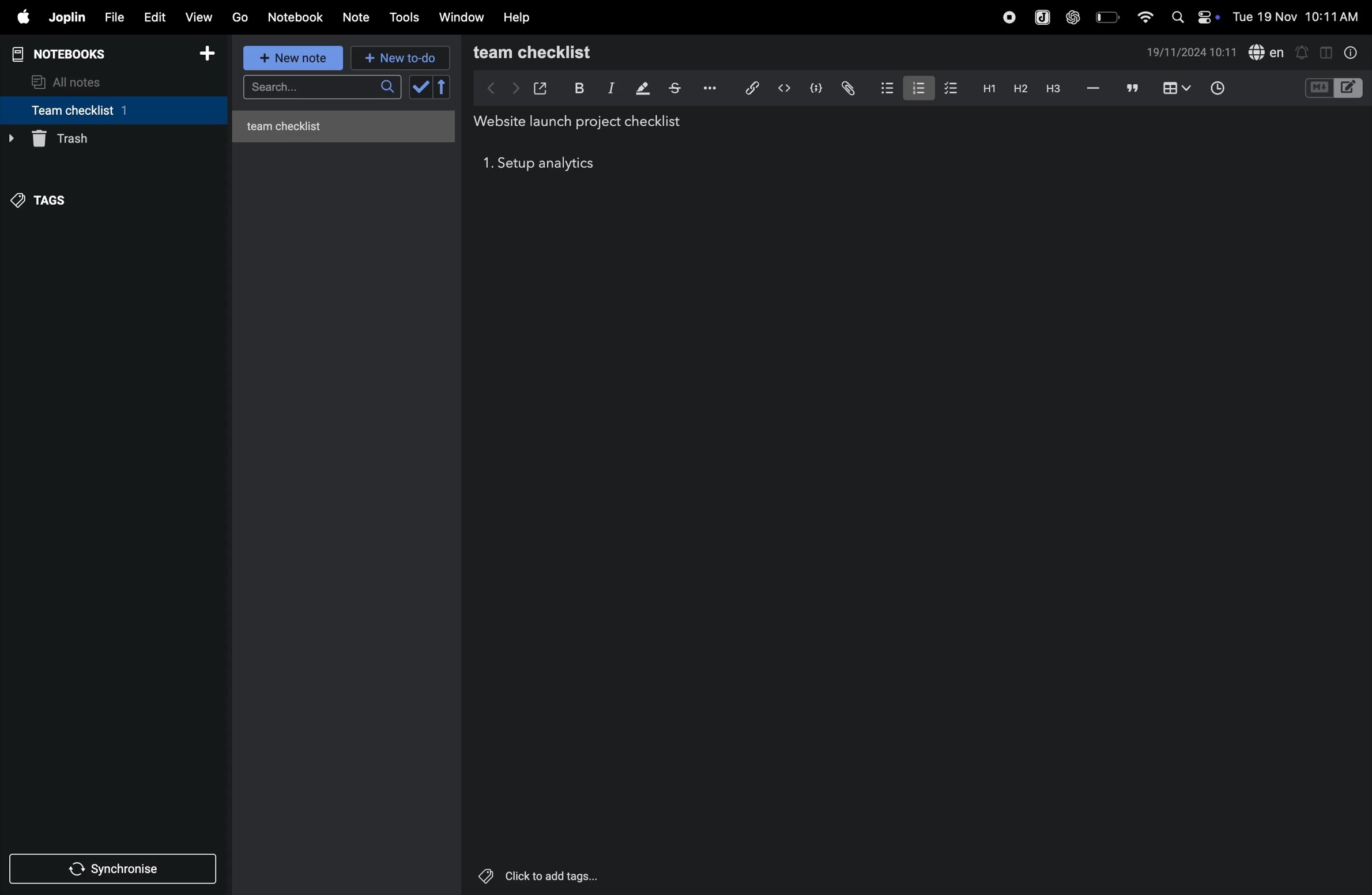 Image resolution: width=1372 pixels, height=895 pixels. What do you see at coordinates (1141, 16) in the screenshot?
I see `wifi` at bounding box center [1141, 16].